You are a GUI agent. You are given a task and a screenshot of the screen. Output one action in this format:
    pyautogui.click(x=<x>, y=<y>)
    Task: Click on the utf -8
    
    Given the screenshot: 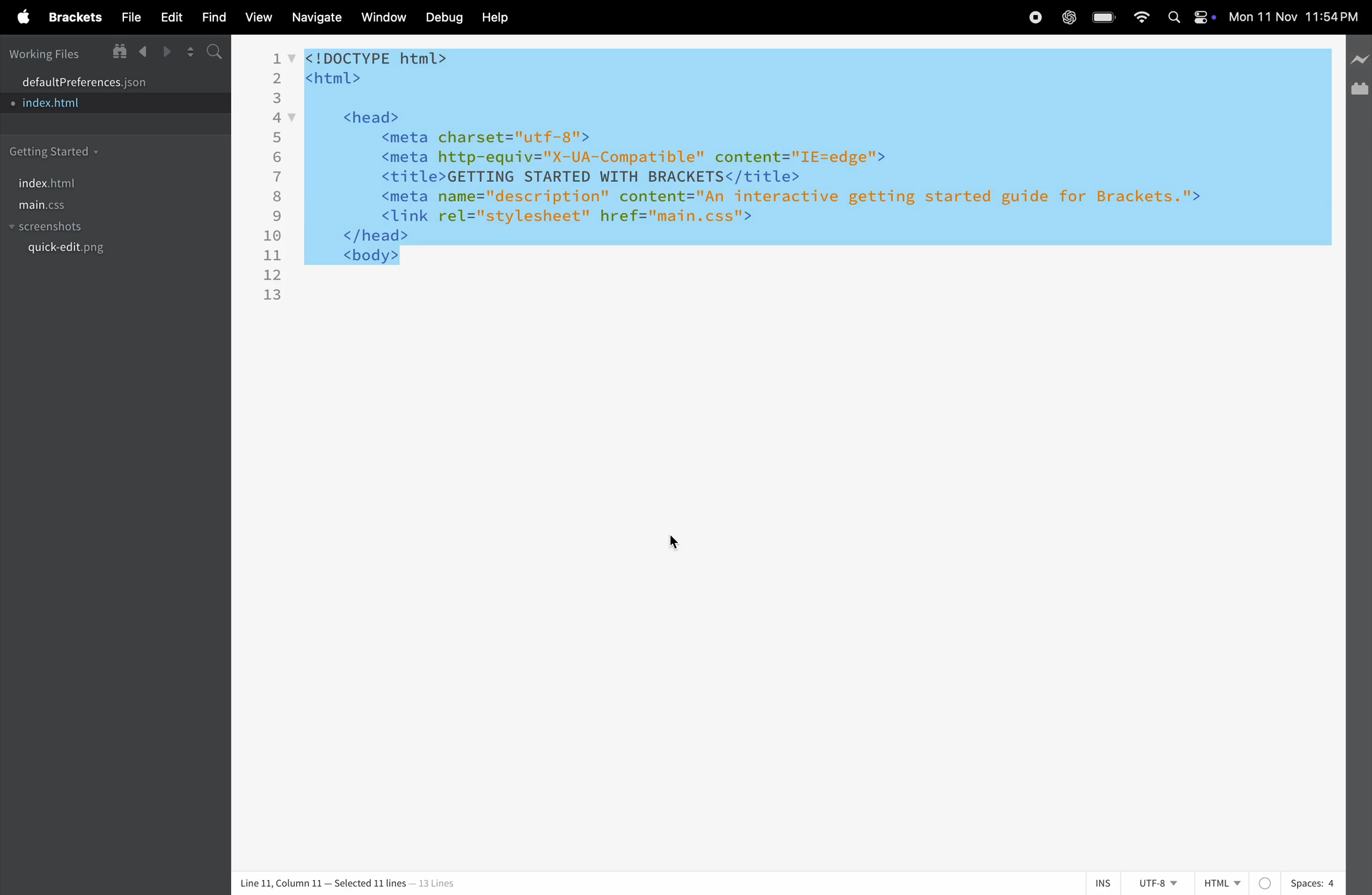 What is the action you would take?
    pyautogui.click(x=1162, y=883)
    